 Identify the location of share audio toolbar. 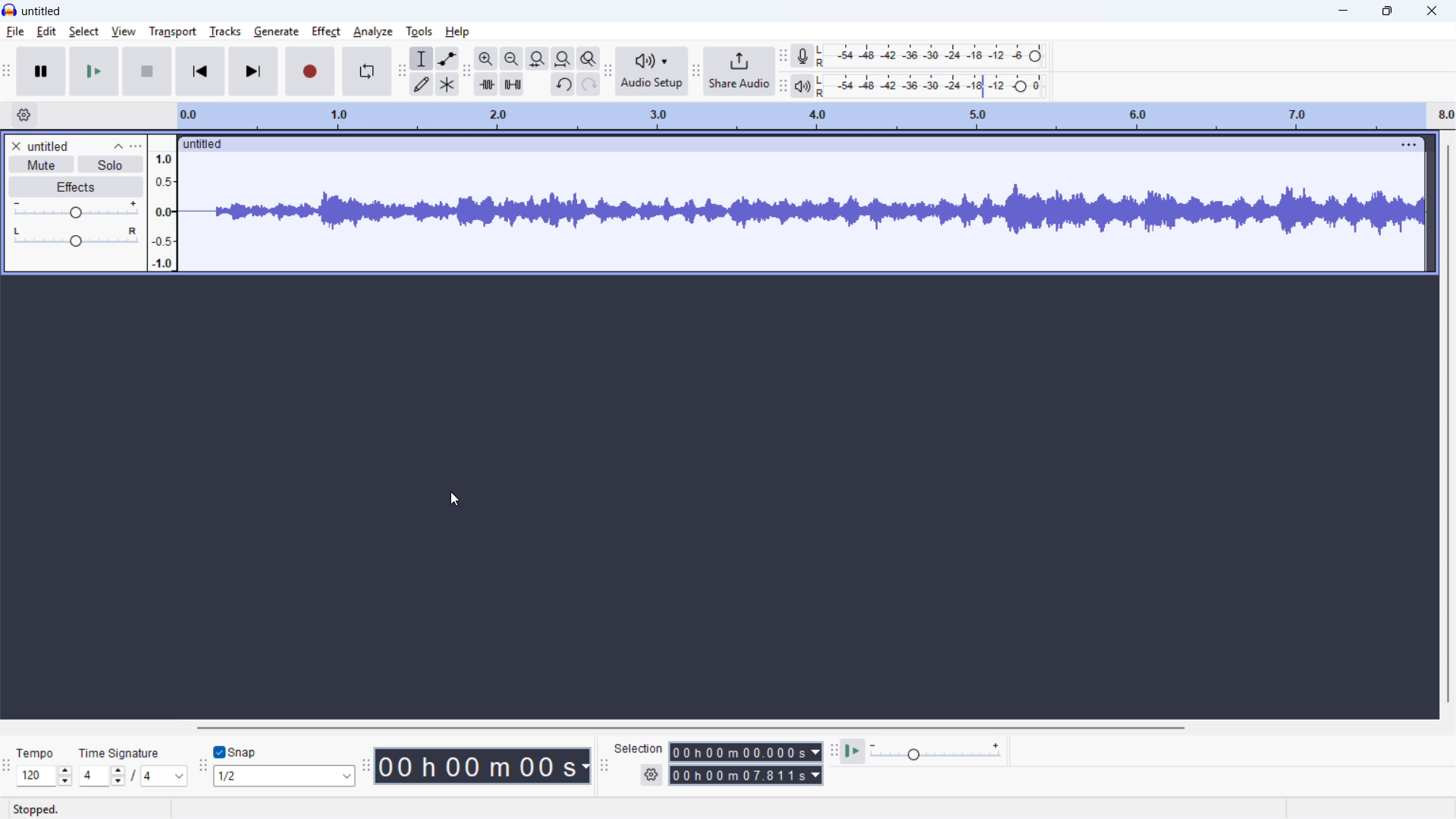
(695, 72).